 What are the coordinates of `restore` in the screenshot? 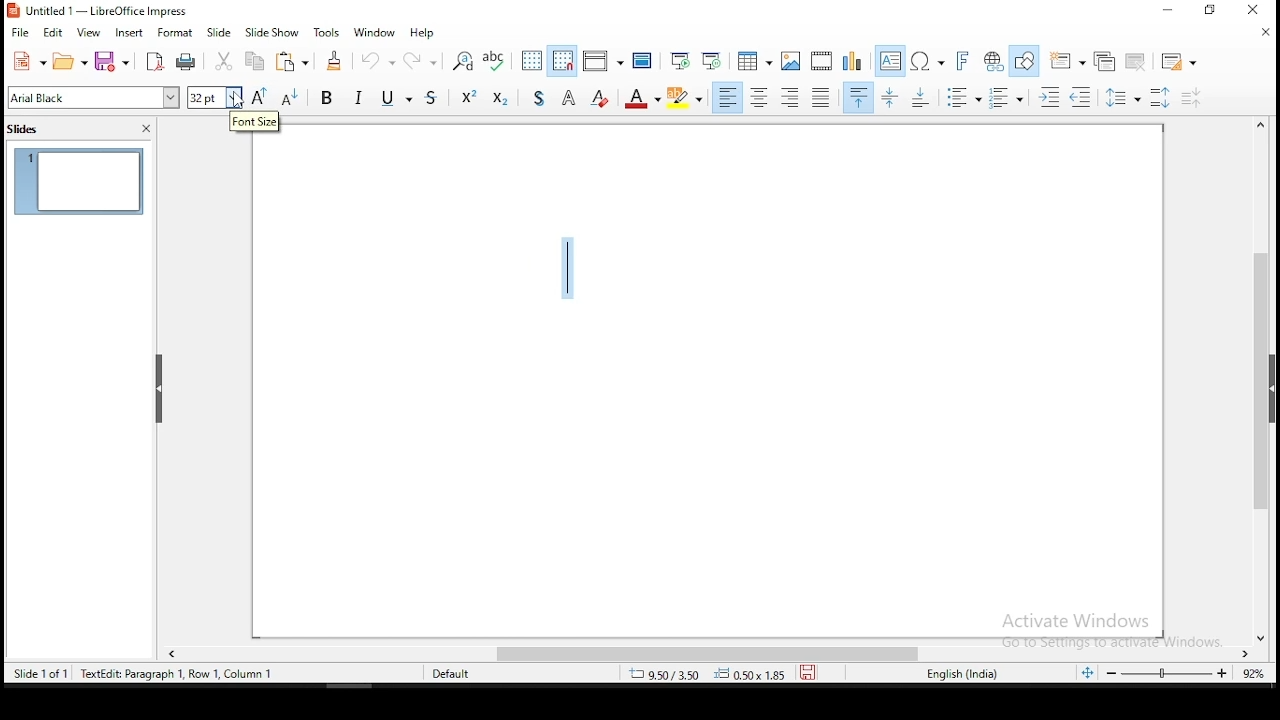 It's located at (1210, 10).